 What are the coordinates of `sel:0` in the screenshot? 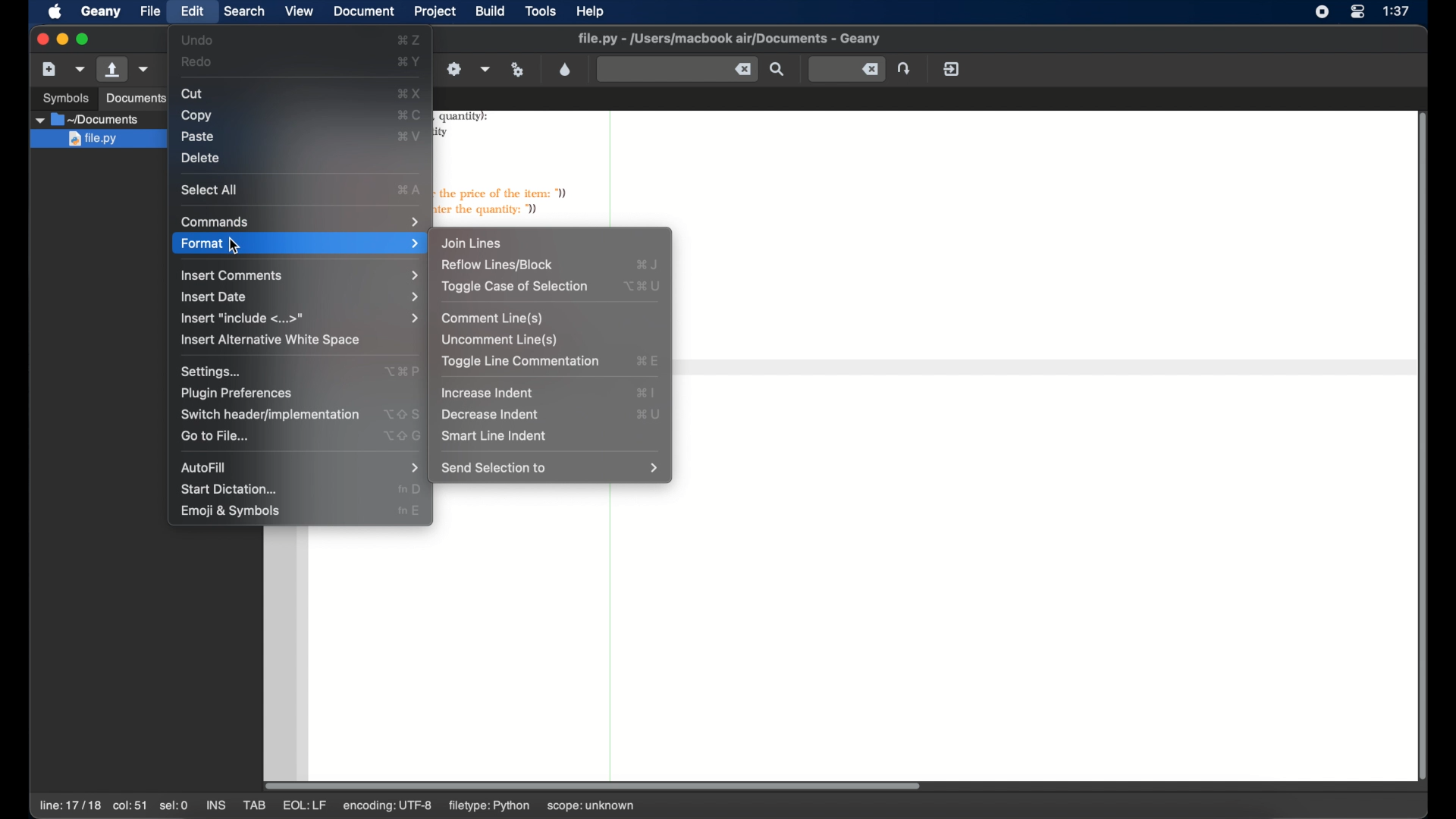 It's located at (174, 805).